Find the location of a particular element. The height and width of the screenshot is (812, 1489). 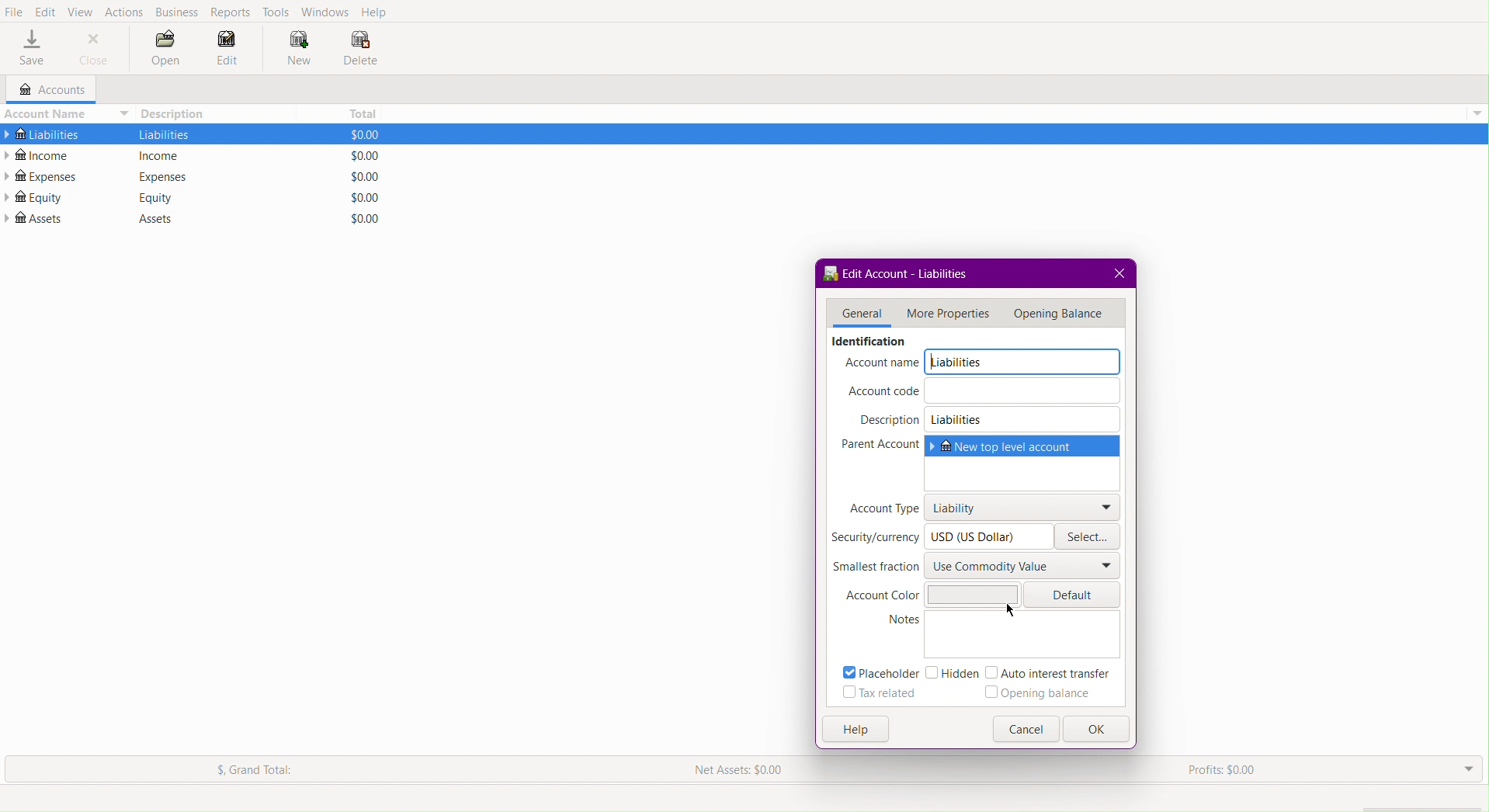

 is located at coordinates (1026, 729).